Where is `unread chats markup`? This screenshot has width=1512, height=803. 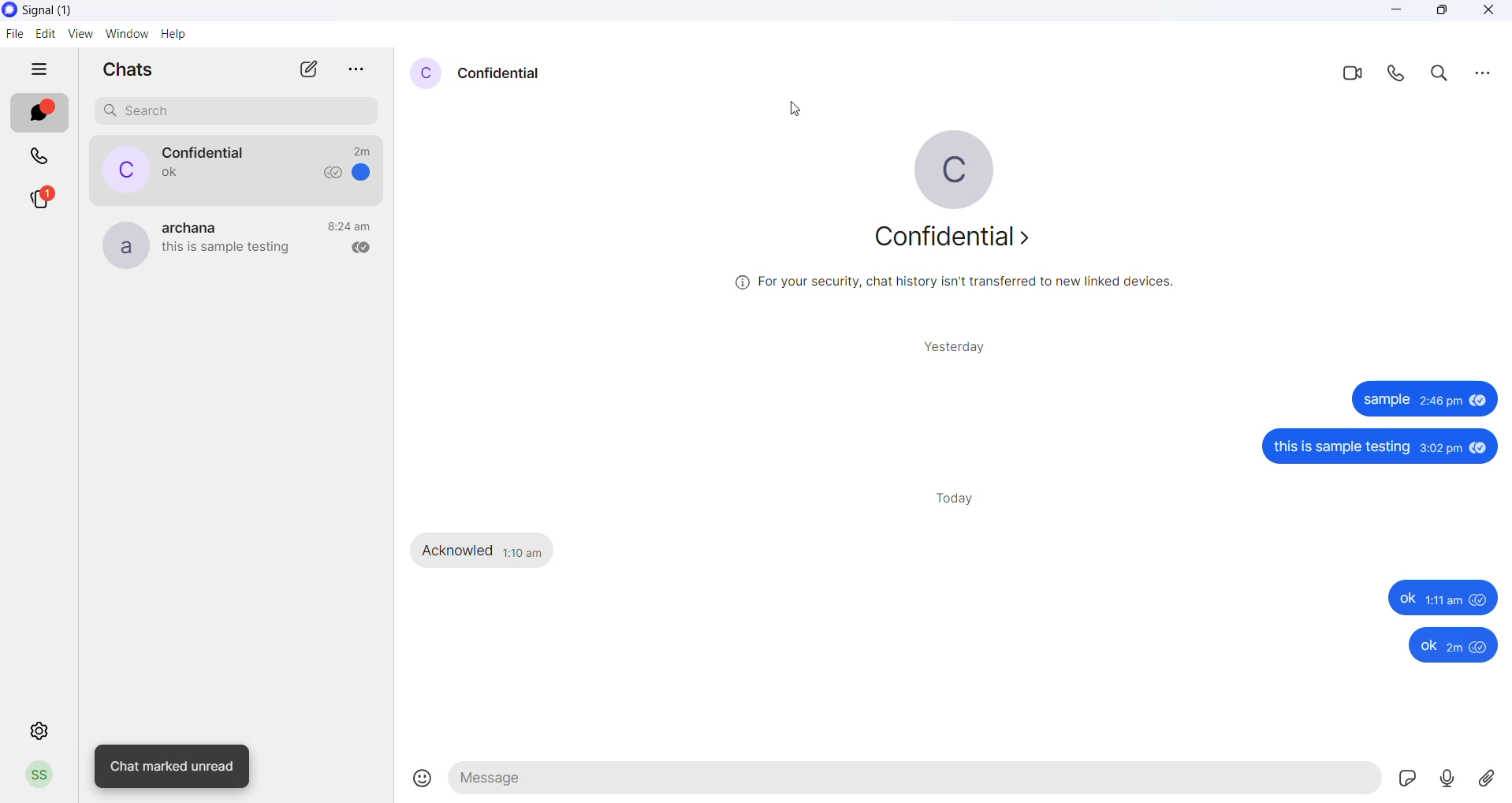
unread chats markup is located at coordinates (50, 106).